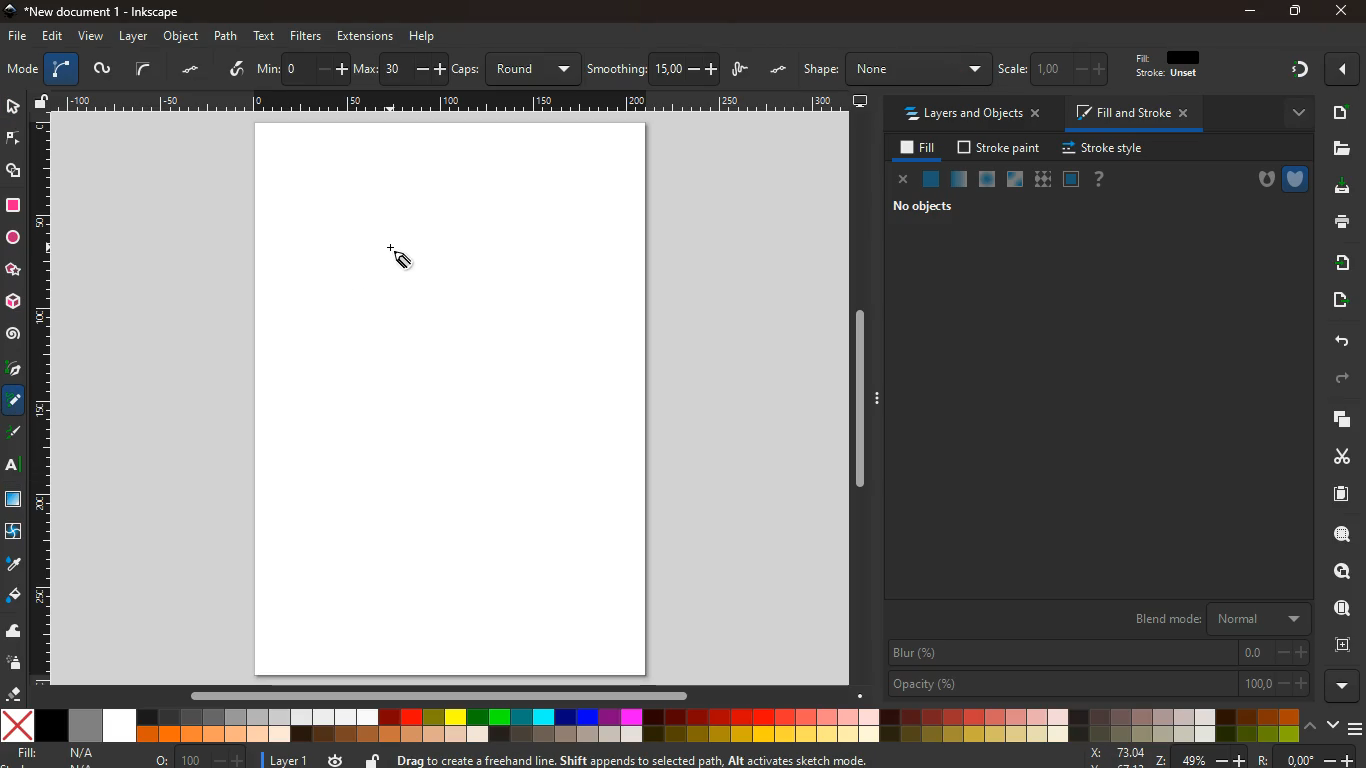 This screenshot has height=768, width=1366. What do you see at coordinates (429, 695) in the screenshot?
I see `Horizontal scroll bar` at bounding box center [429, 695].